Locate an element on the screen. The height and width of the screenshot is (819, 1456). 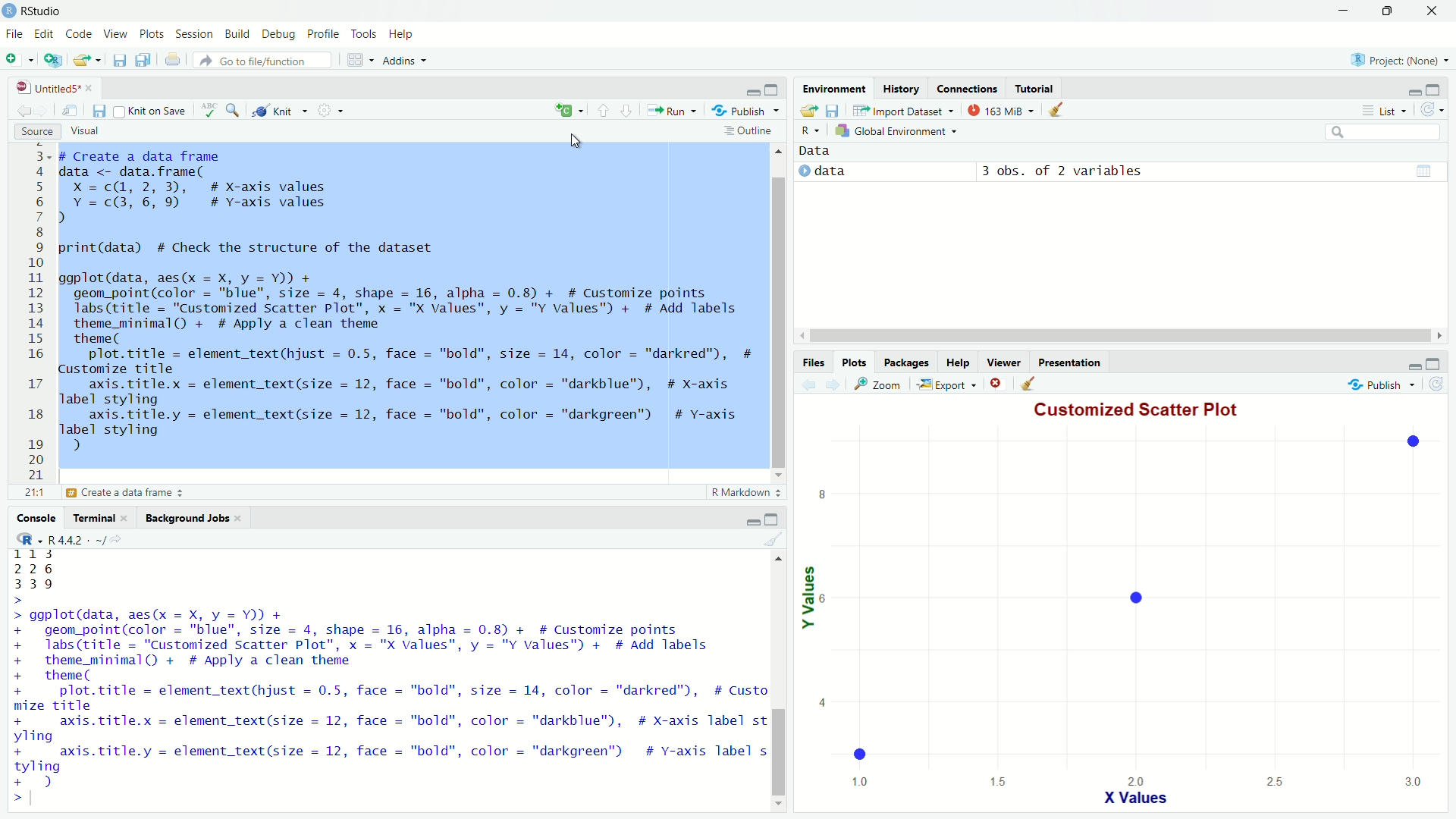
Clear console is located at coordinates (1032, 385).